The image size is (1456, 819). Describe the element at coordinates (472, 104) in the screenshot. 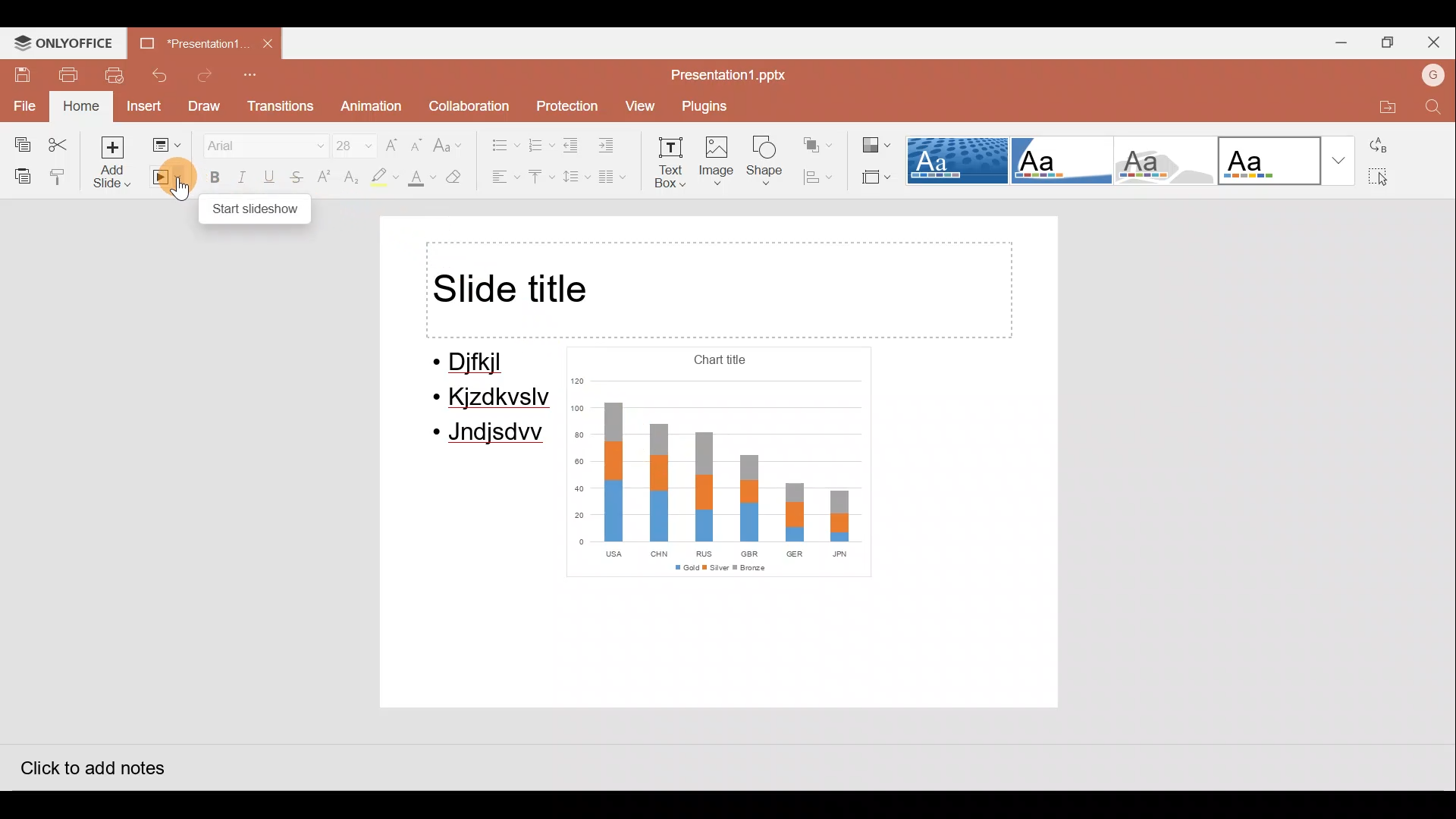

I see `Collaboration` at that location.